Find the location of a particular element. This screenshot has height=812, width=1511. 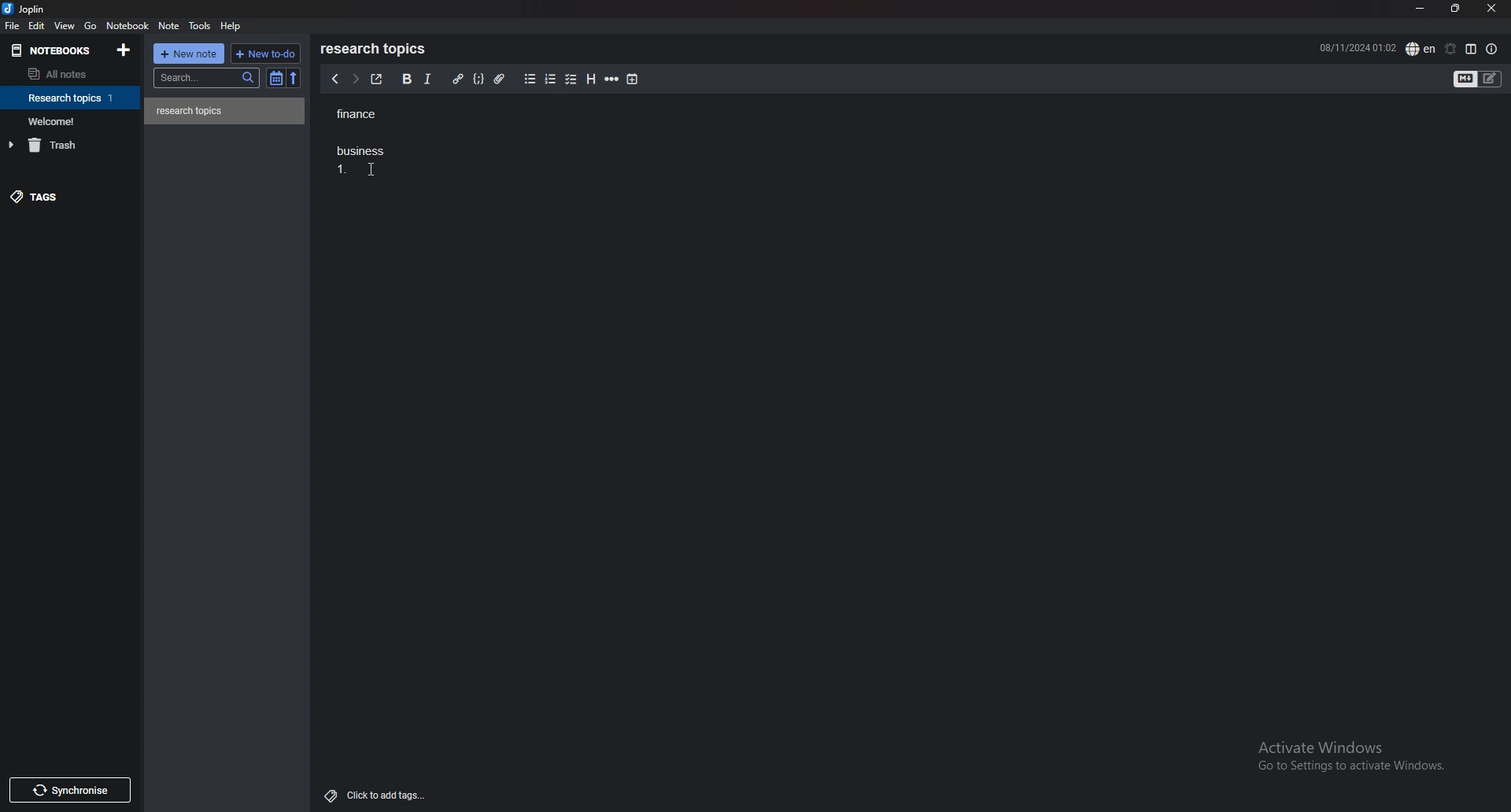

reverse sort order is located at coordinates (293, 78).